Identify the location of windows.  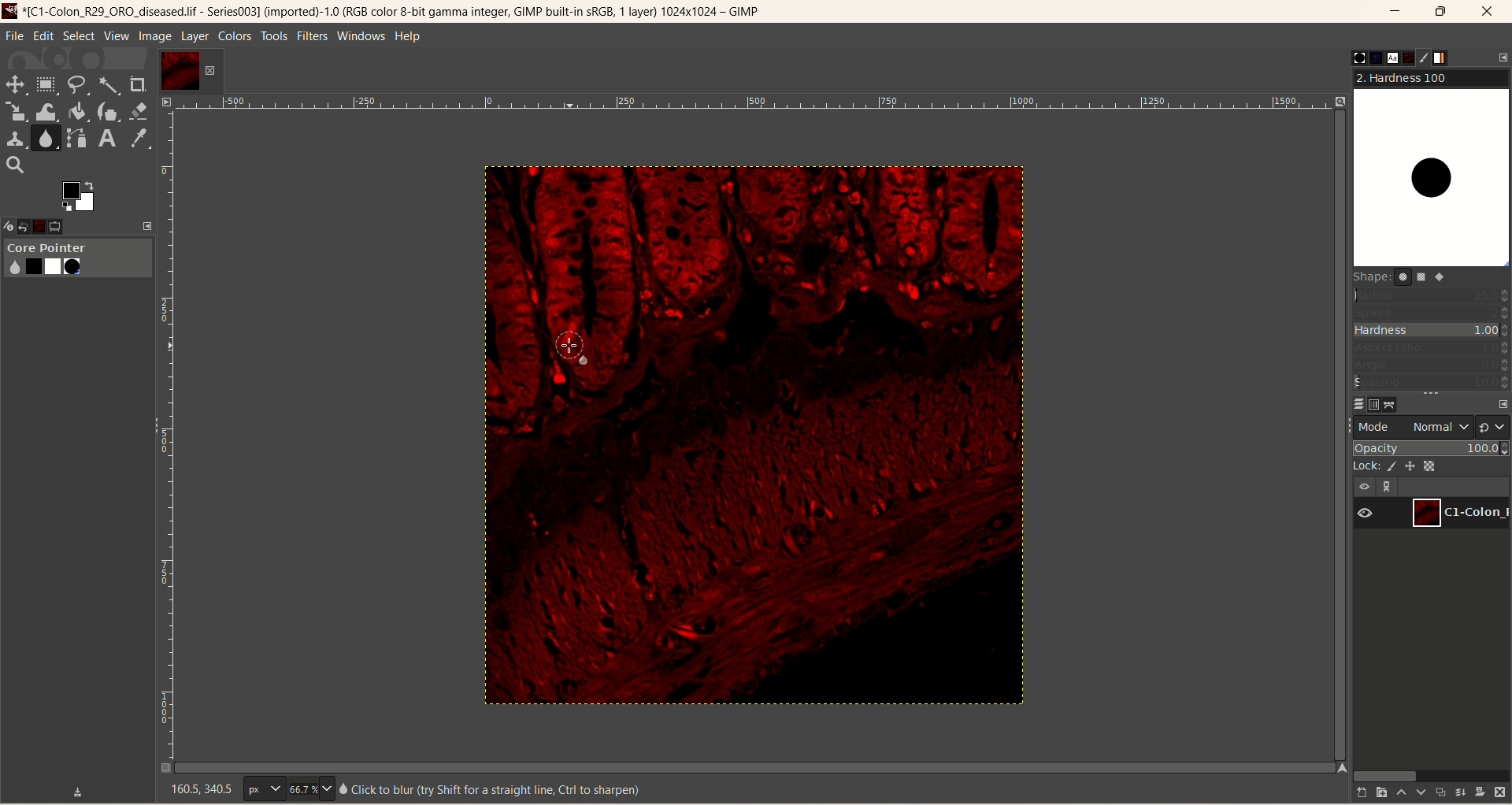
(364, 35).